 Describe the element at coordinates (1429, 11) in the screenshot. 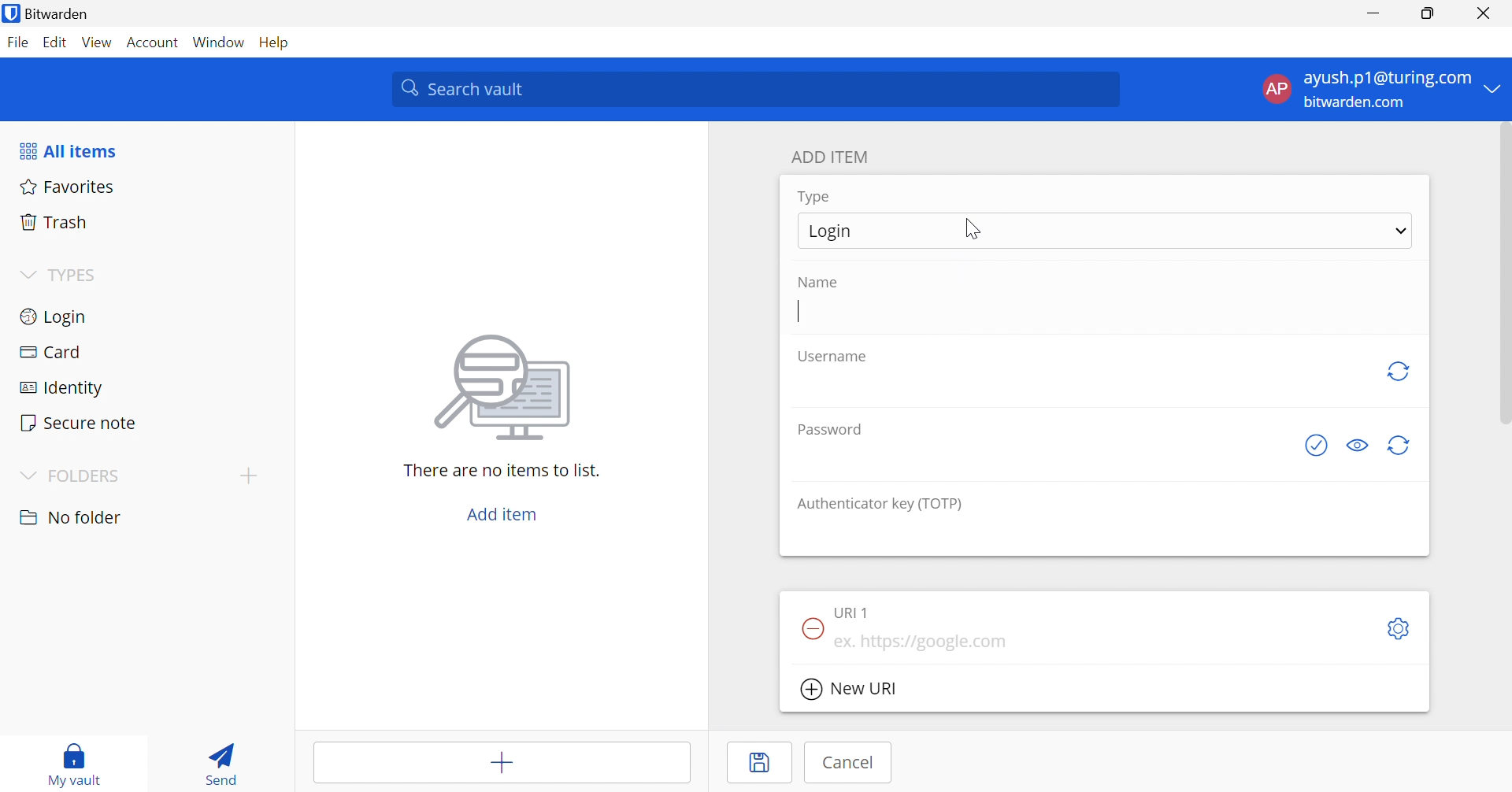

I see `Restore Down` at that location.